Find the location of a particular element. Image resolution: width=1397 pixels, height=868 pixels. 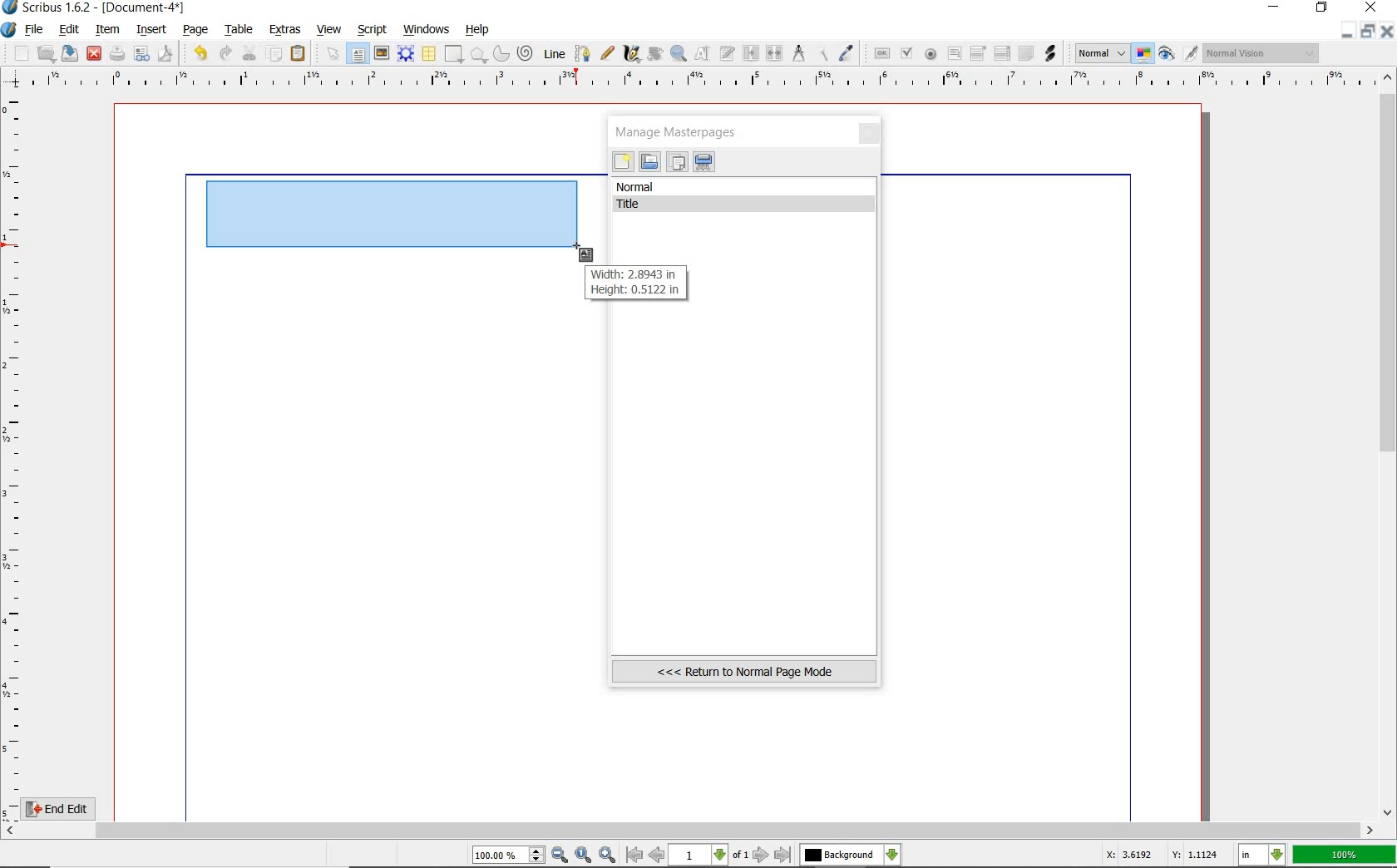

minimize is located at coordinates (1349, 31).